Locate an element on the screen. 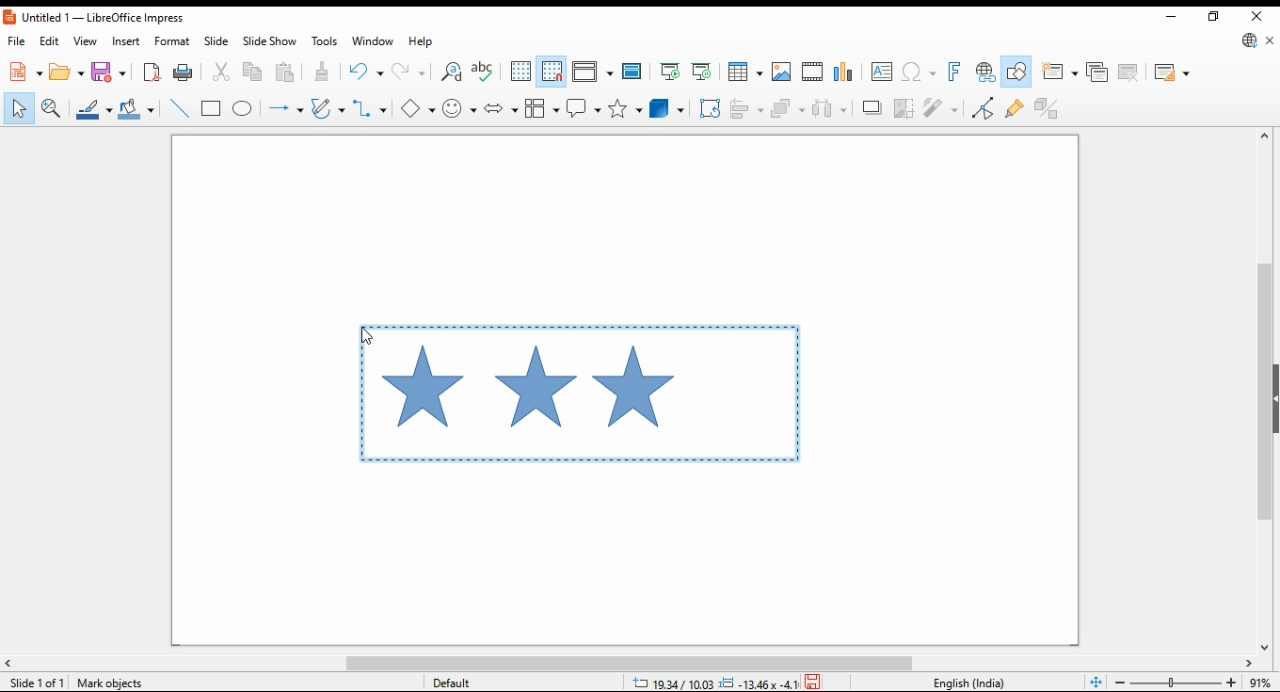 The height and width of the screenshot is (692, 1280). toggle extrusions is located at coordinates (1050, 108).